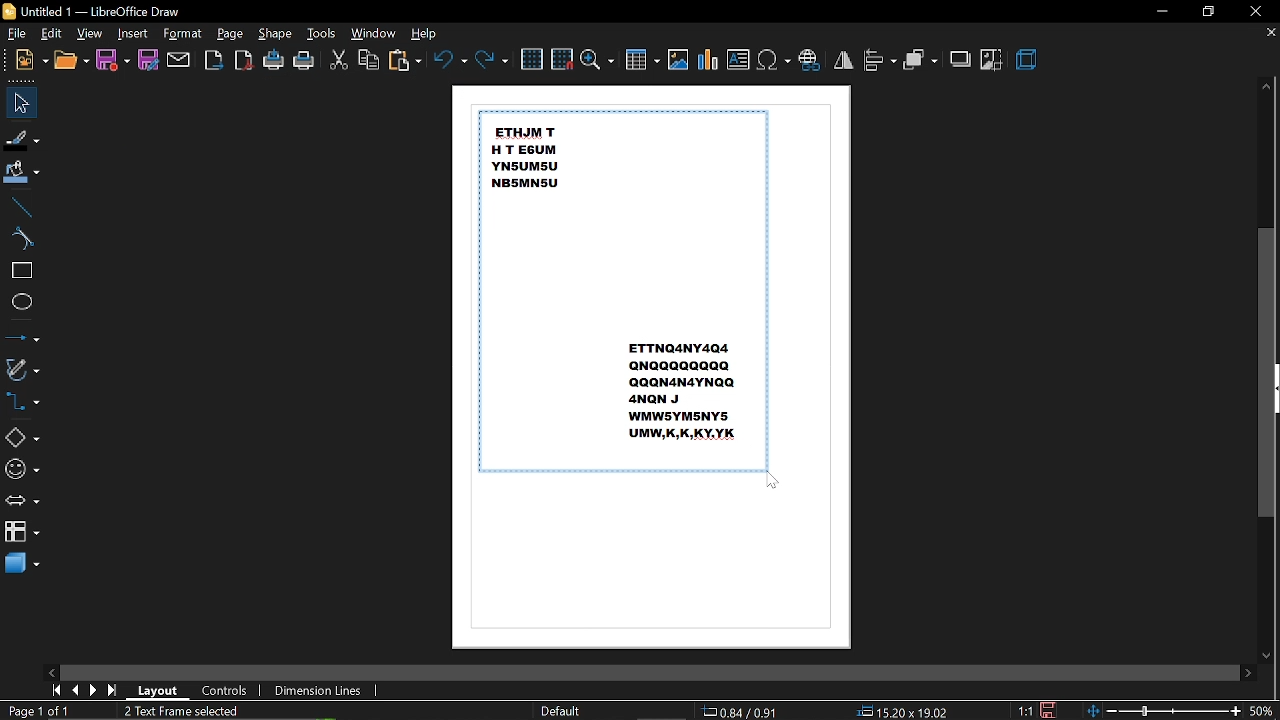 The height and width of the screenshot is (720, 1280). Describe the element at coordinates (51, 670) in the screenshot. I see `move left` at that location.